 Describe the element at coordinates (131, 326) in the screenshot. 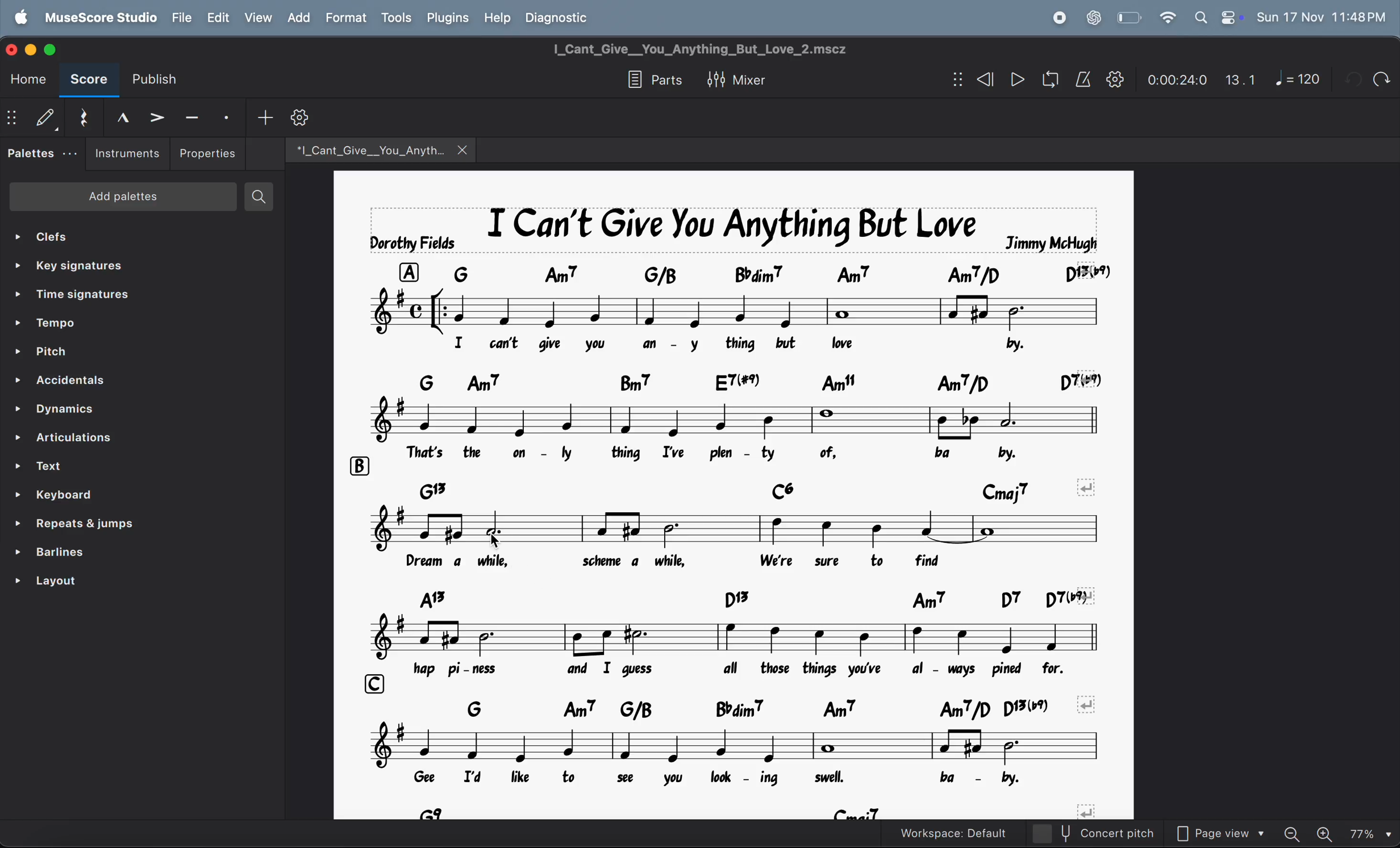

I see `tempo` at that location.